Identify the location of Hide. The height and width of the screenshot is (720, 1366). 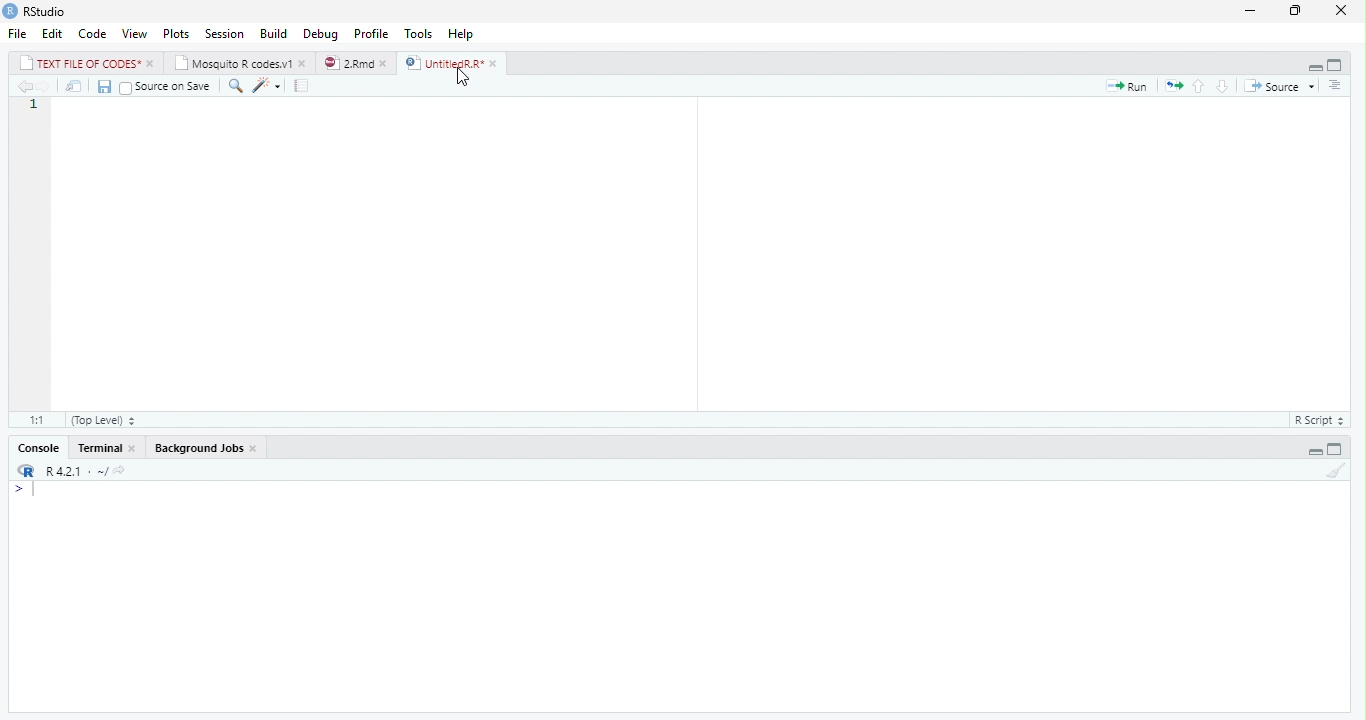
(1312, 65).